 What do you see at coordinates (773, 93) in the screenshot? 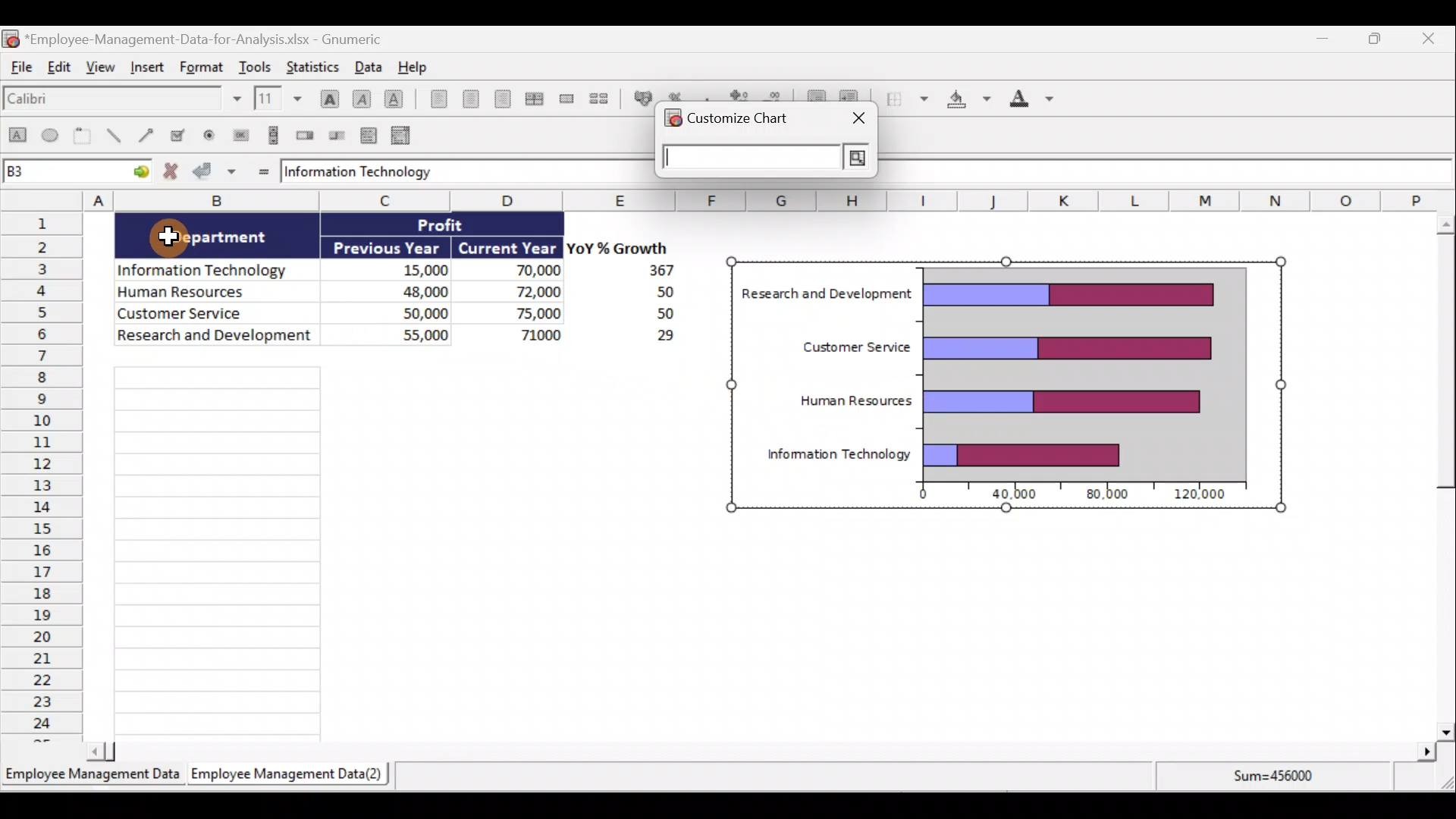
I see `Decrease decimals` at bounding box center [773, 93].